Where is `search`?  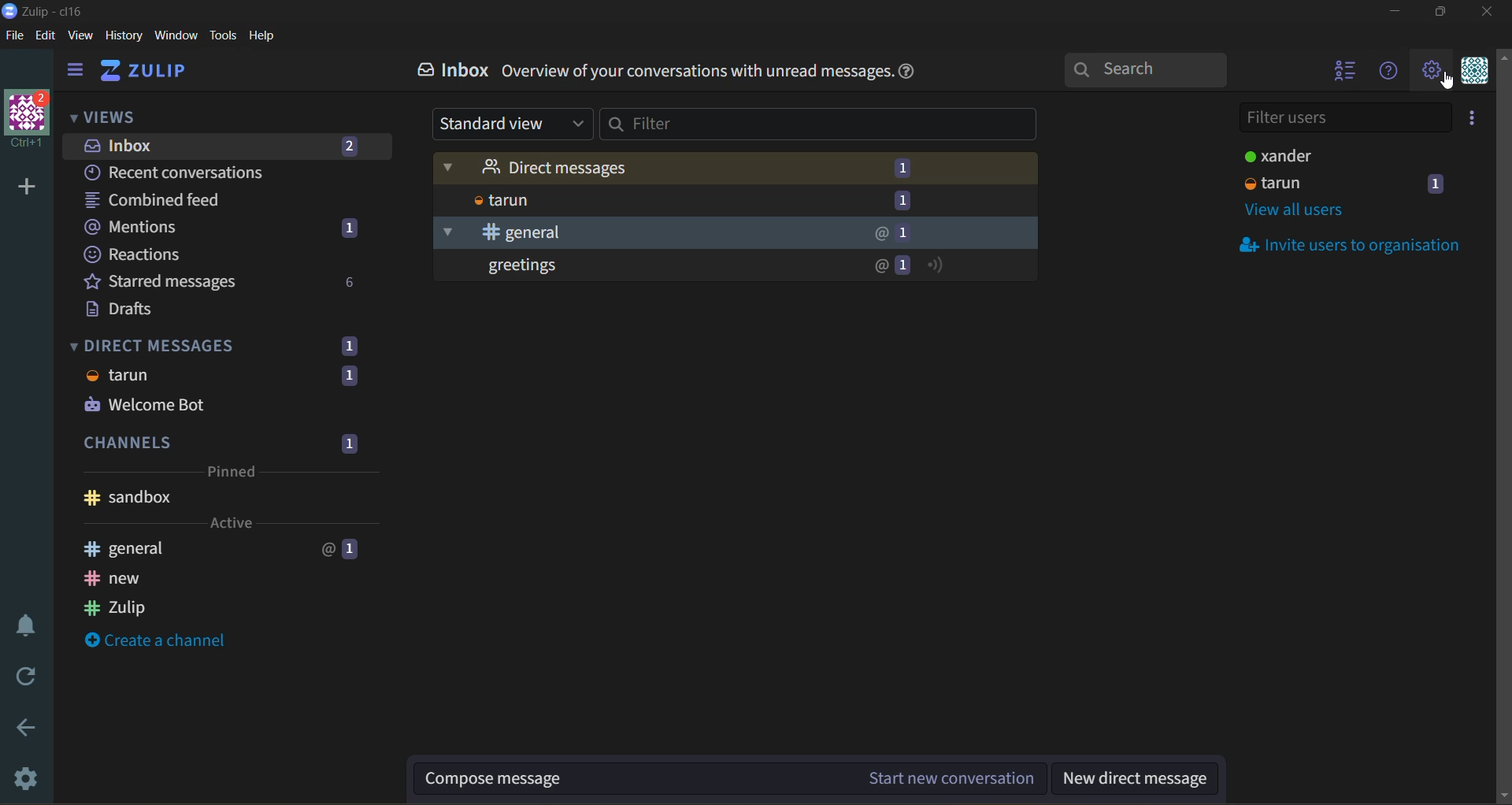
search is located at coordinates (1143, 70).